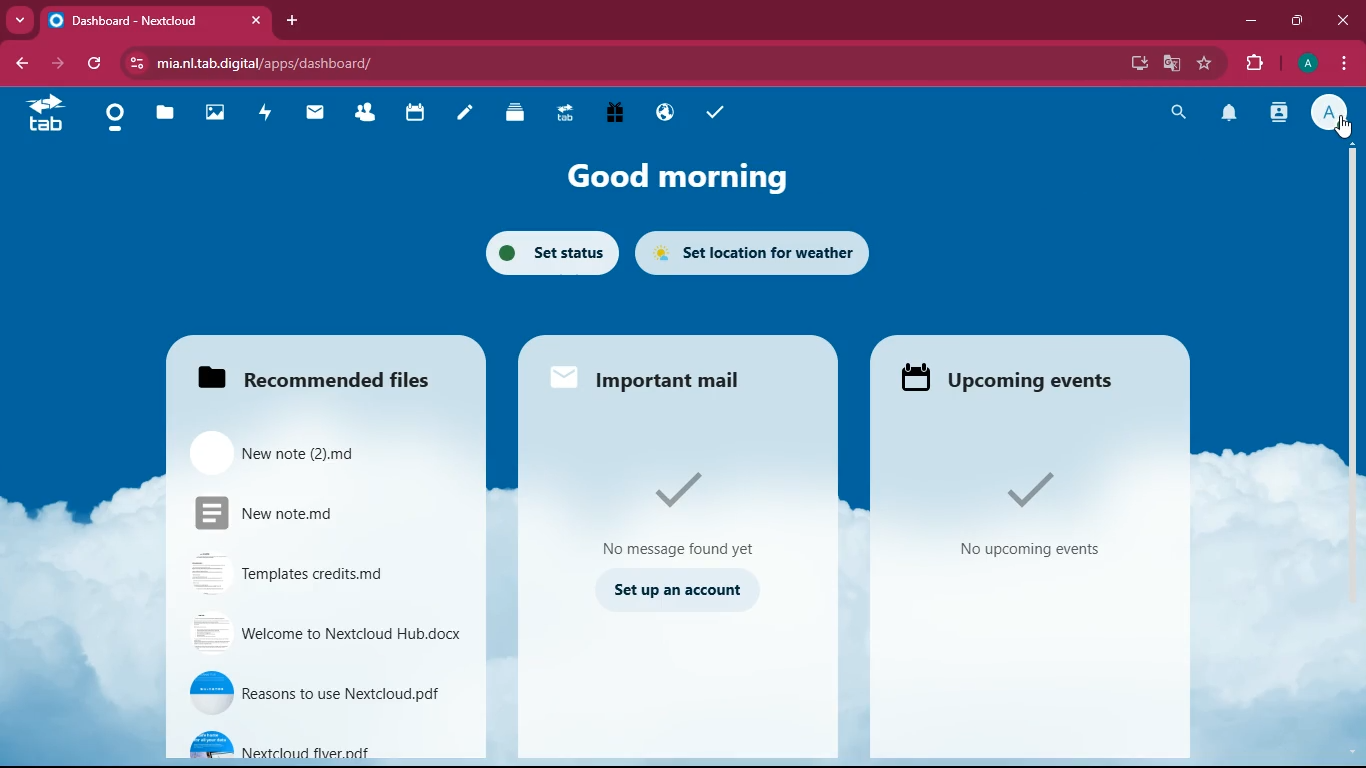 The image size is (1366, 768). I want to click on activity, so click(268, 115).